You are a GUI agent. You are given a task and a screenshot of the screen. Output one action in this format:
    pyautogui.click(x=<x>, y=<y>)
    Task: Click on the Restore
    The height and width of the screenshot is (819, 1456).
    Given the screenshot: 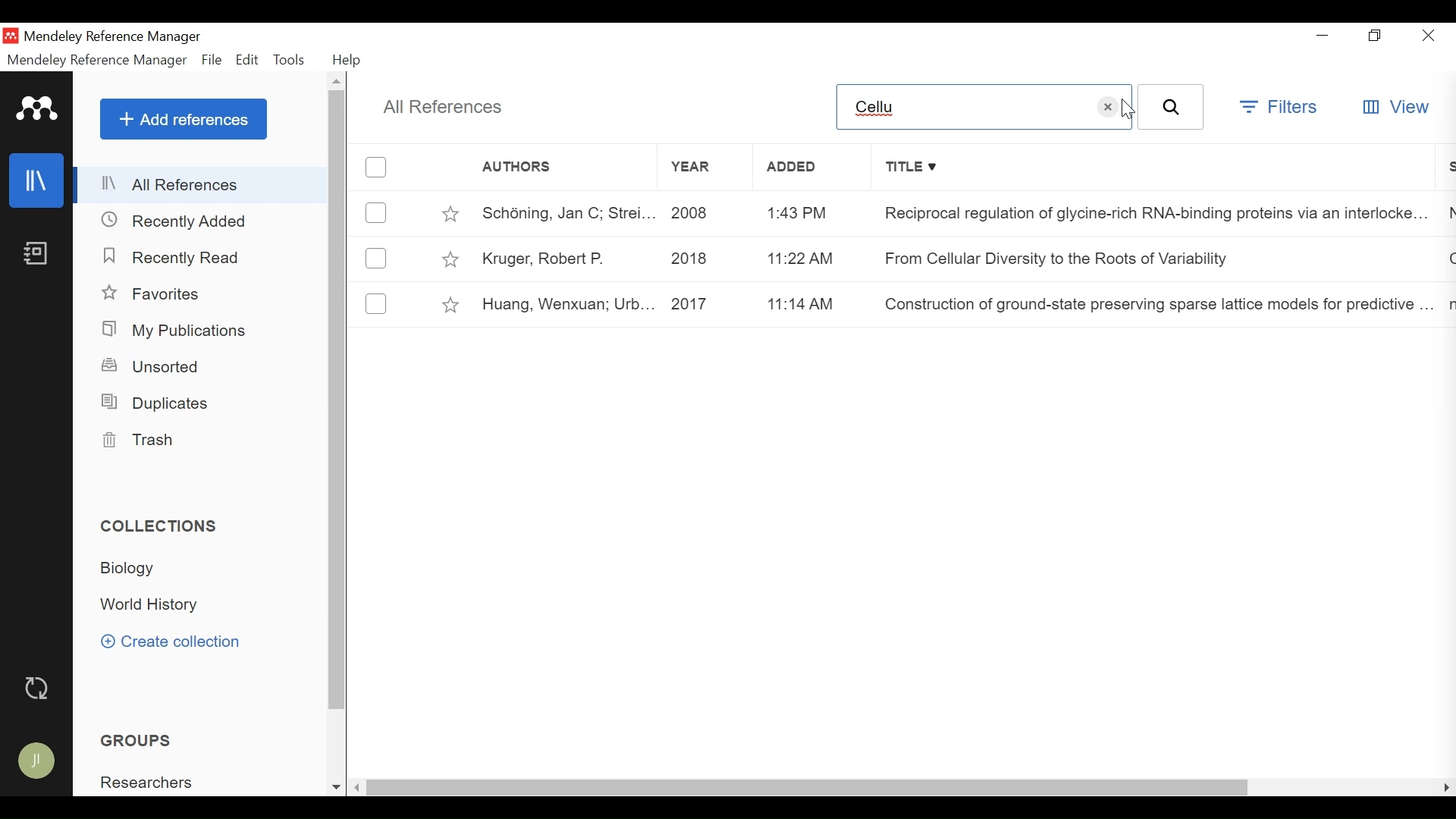 What is the action you would take?
    pyautogui.click(x=1375, y=35)
    